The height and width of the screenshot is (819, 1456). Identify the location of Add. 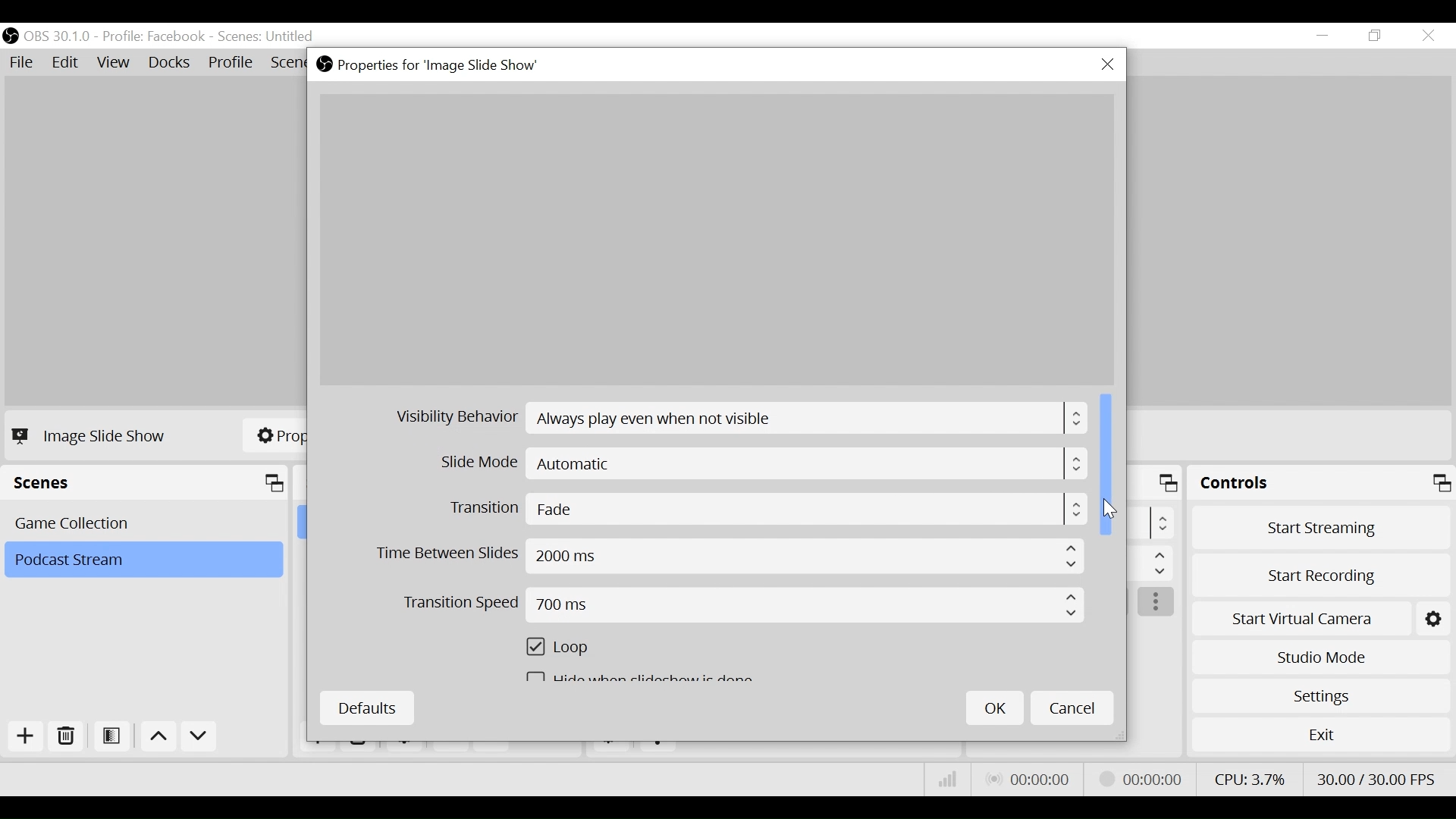
(24, 736).